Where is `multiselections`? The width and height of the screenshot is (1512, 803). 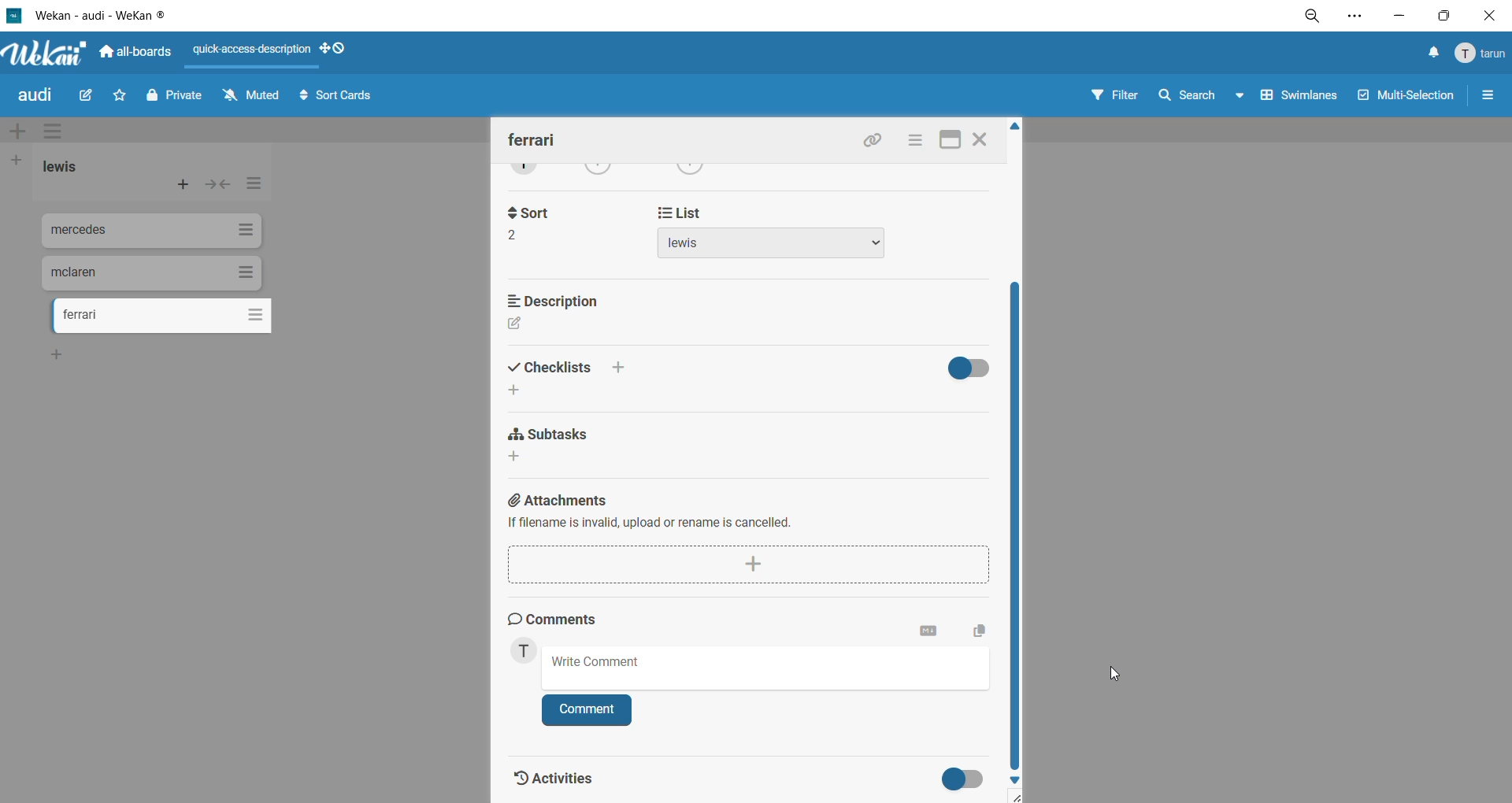
multiselections is located at coordinates (1403, 98).